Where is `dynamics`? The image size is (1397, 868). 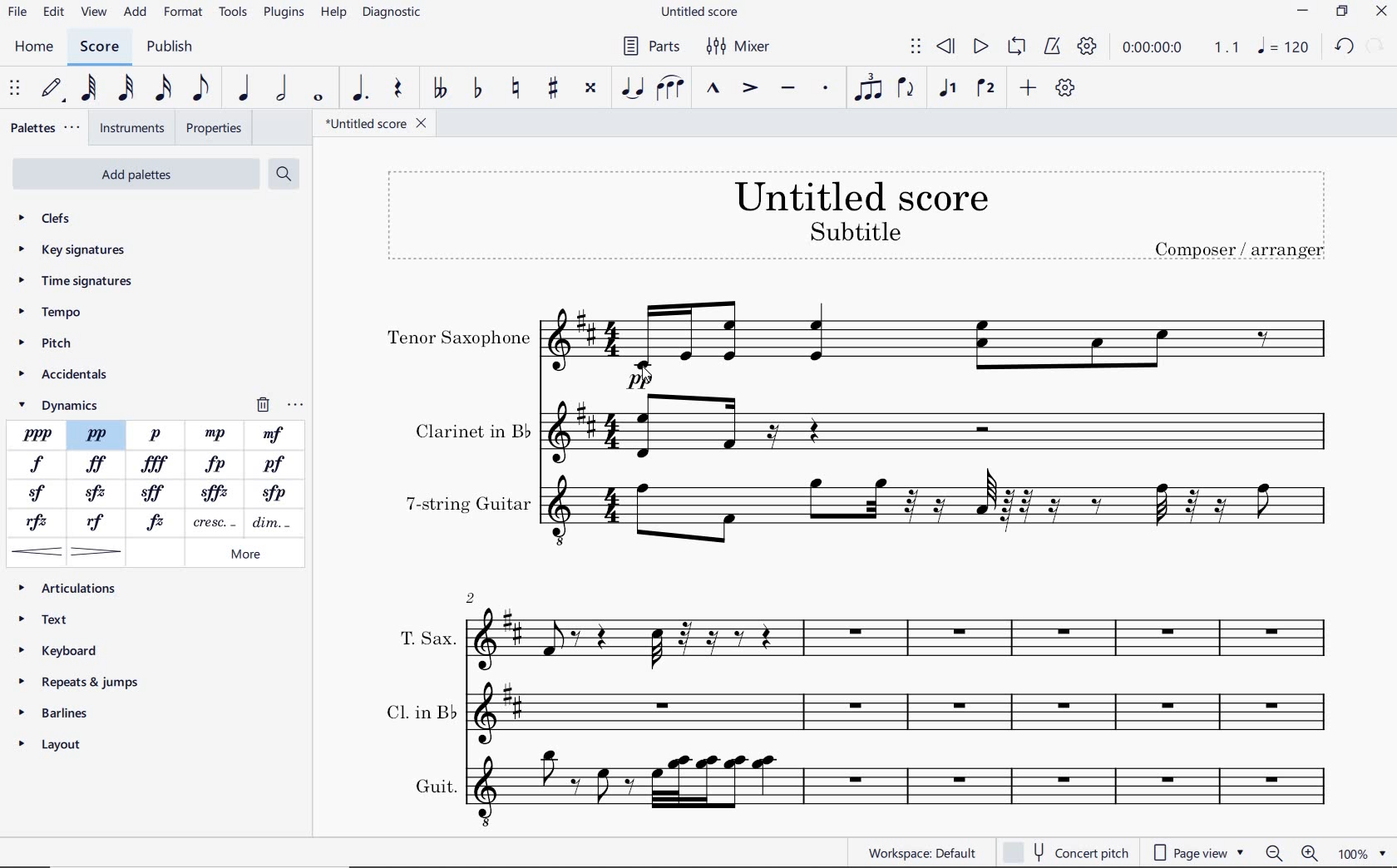
dynamics is located at coordinates (65, 404).